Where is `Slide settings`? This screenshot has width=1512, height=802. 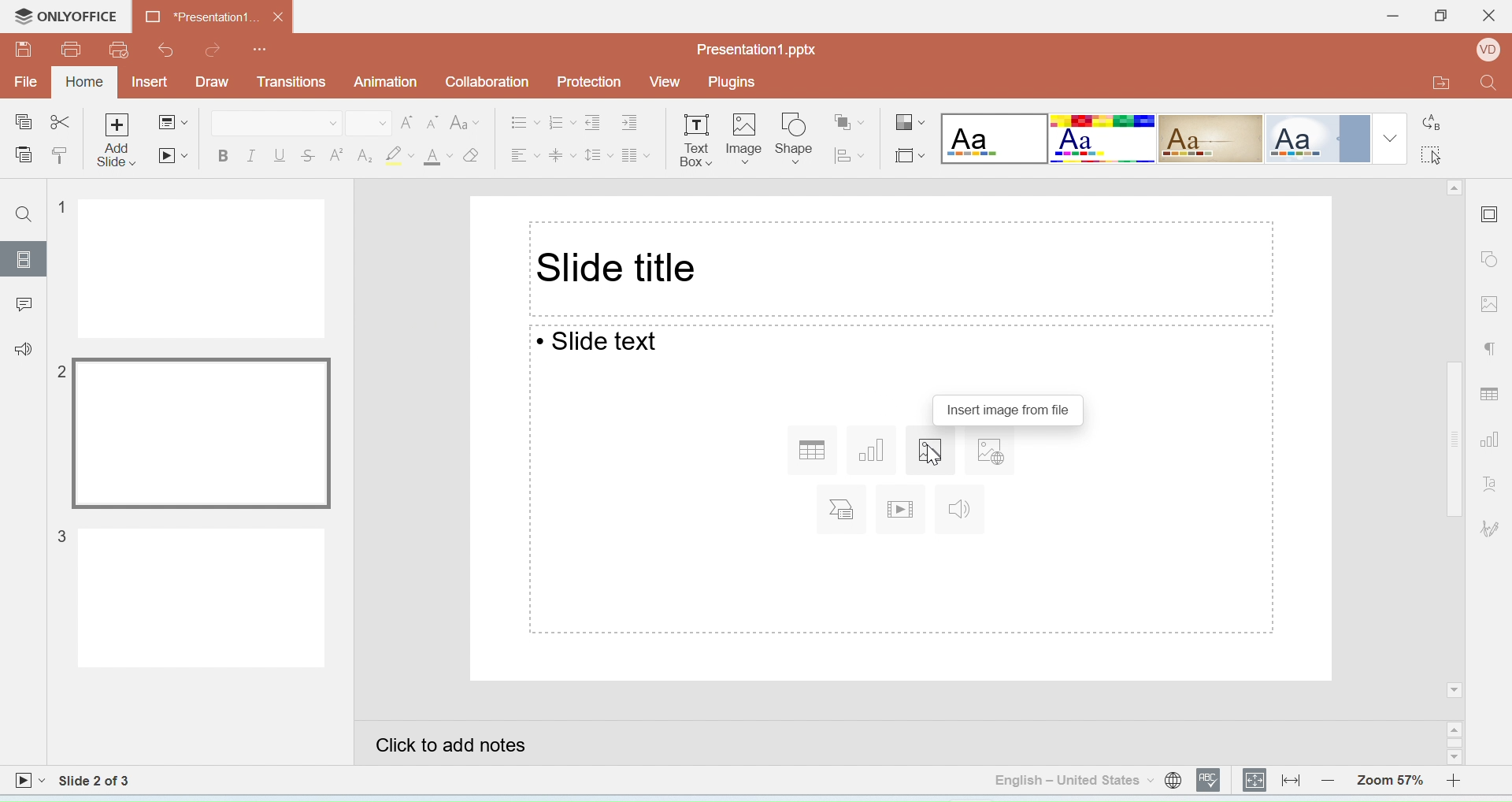
Slide settings is located at coordinates (1492, 212).